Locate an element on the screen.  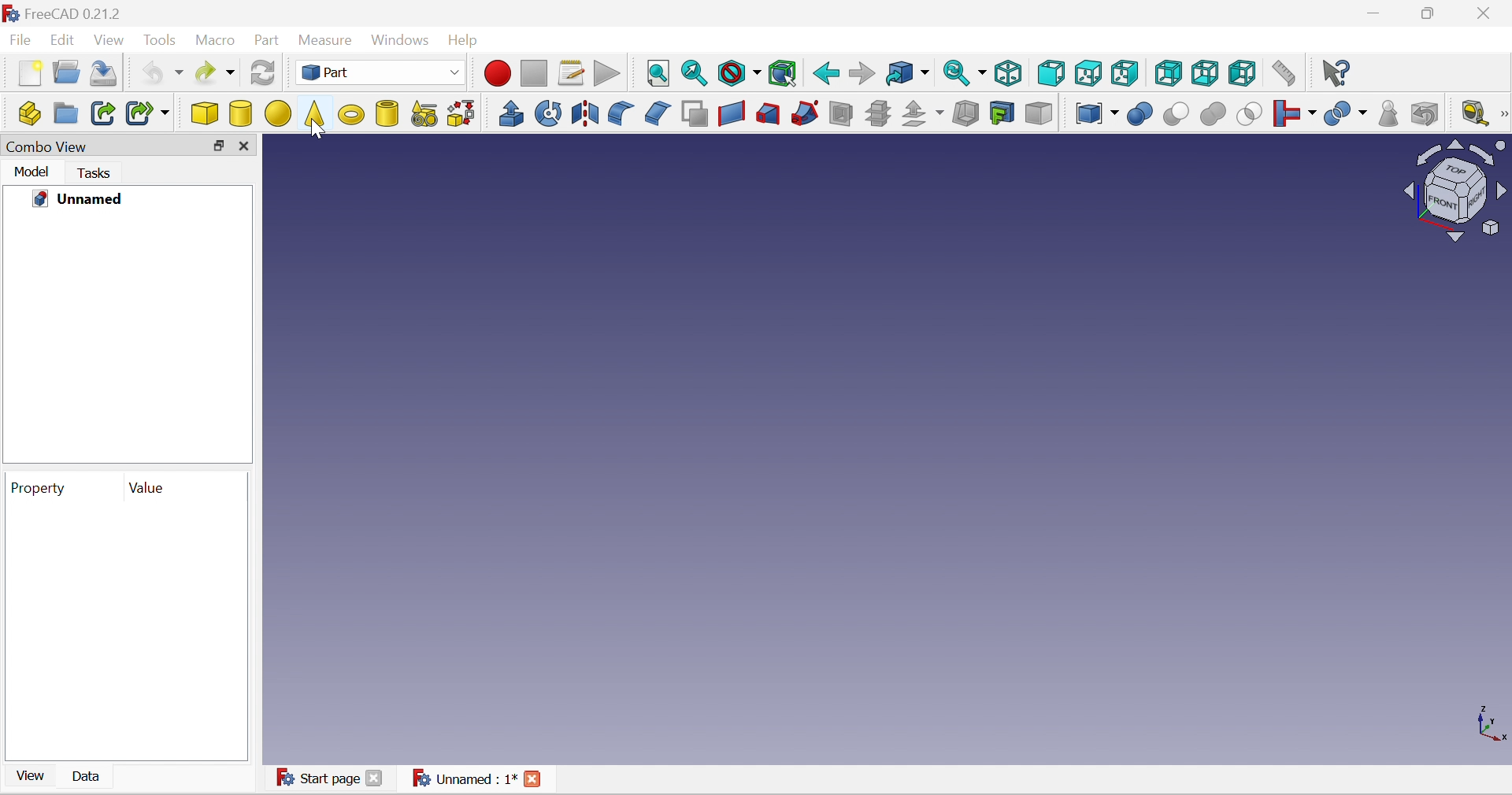
Check geometry is located at coordinates (1388, 114).